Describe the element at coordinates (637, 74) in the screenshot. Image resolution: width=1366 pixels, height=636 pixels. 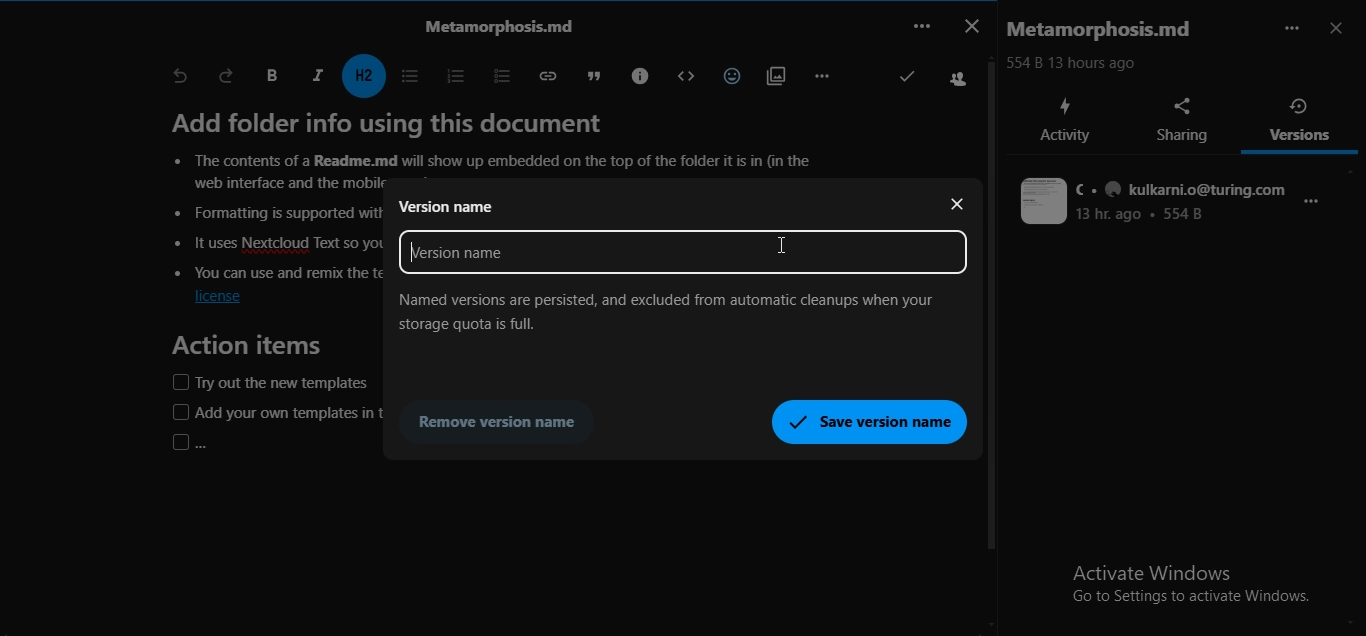
I see `callouts` at that location.